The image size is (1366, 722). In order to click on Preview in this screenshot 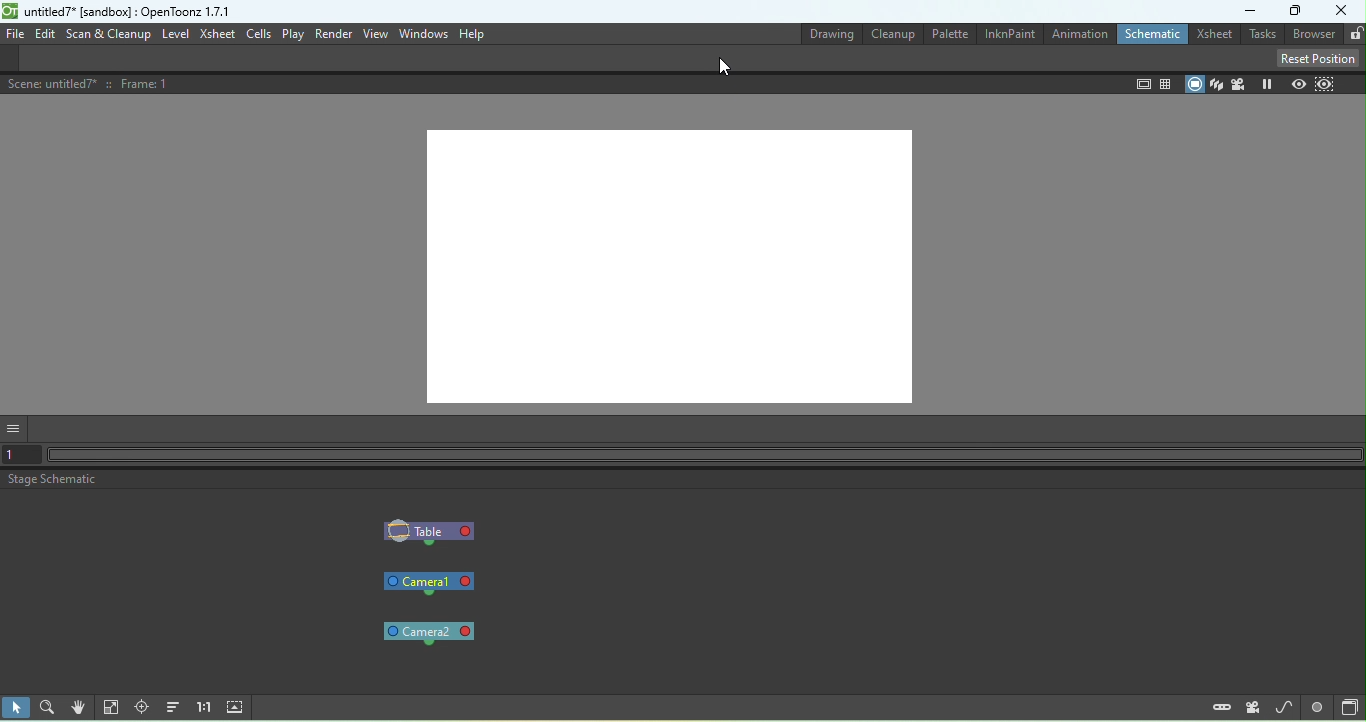, I will do `click(1294, 83)`.